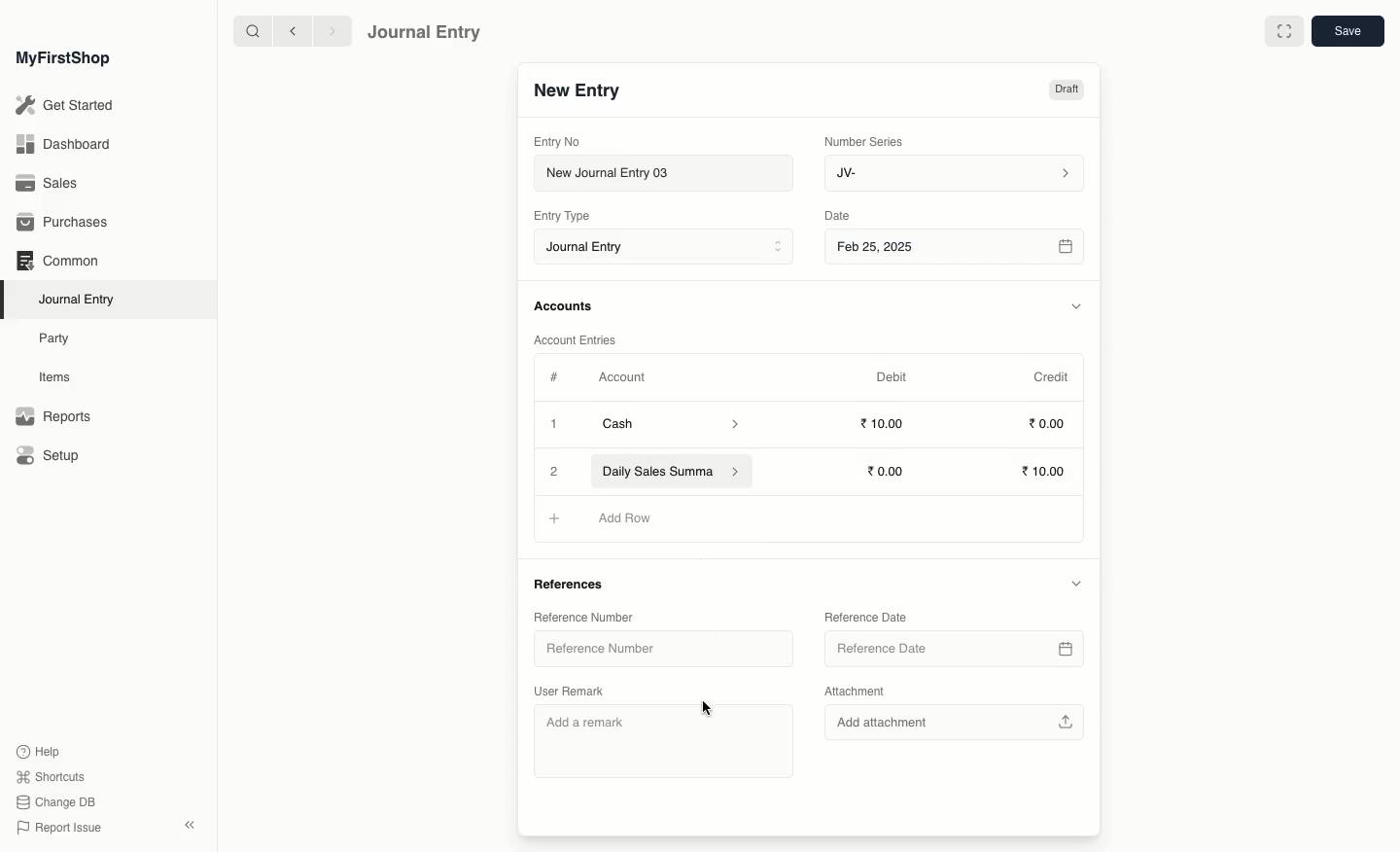 This screenshot has height=852, width=1400. I want to click on Date, so click(838, 216).